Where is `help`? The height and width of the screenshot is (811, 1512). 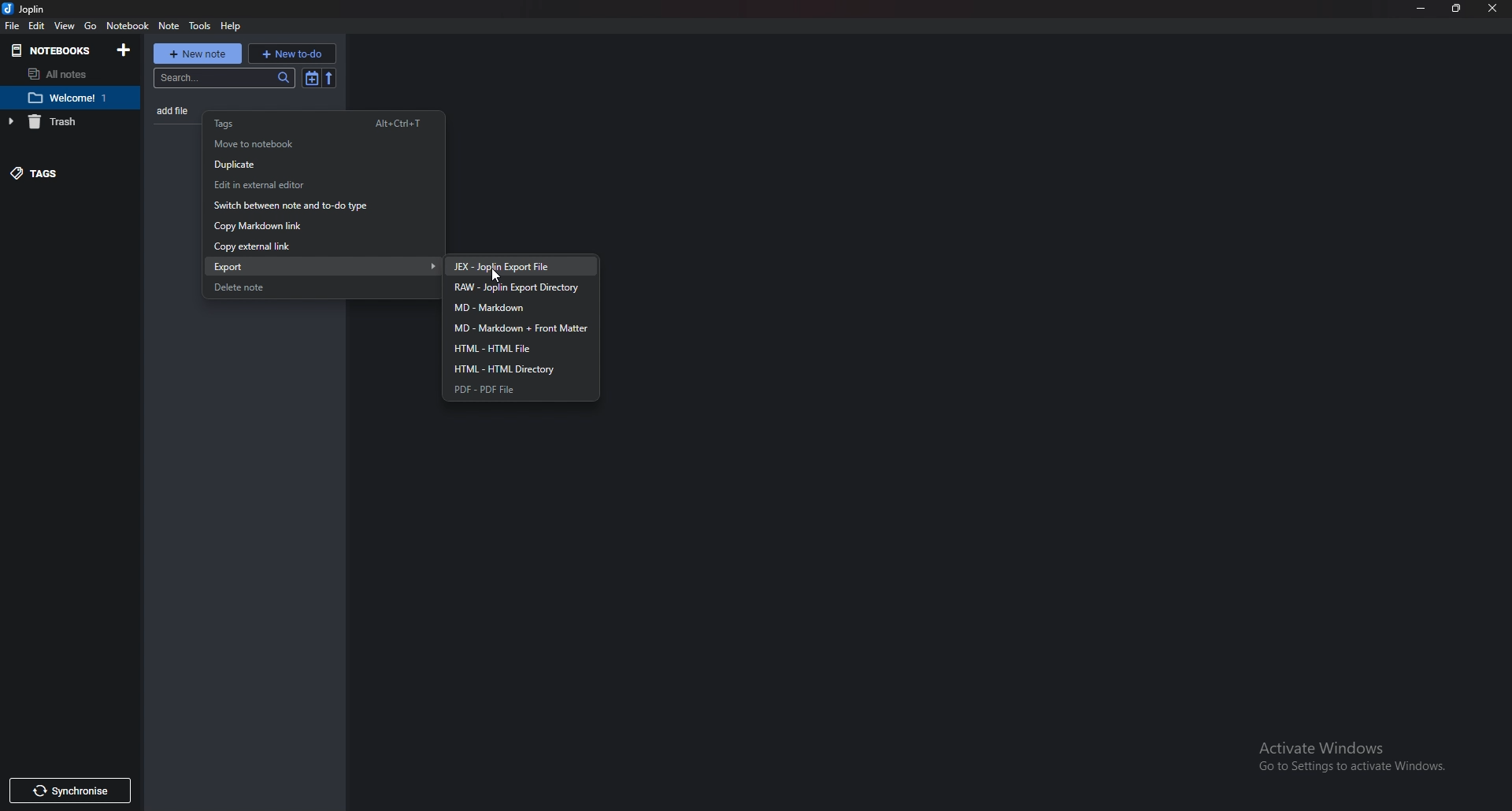
help is located at coordinates (232, 27).